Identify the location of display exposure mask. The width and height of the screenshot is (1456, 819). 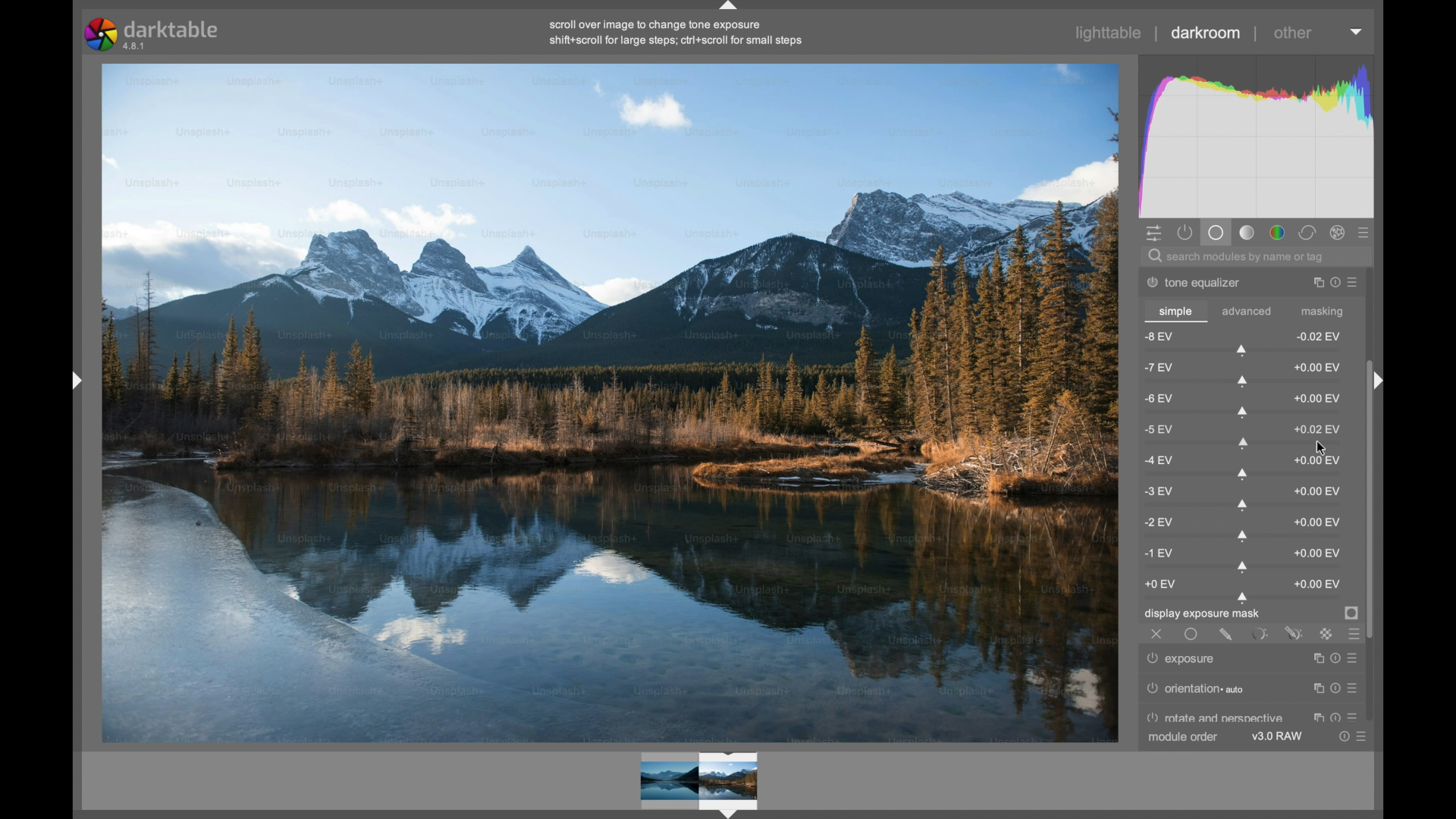
(1250, 616).